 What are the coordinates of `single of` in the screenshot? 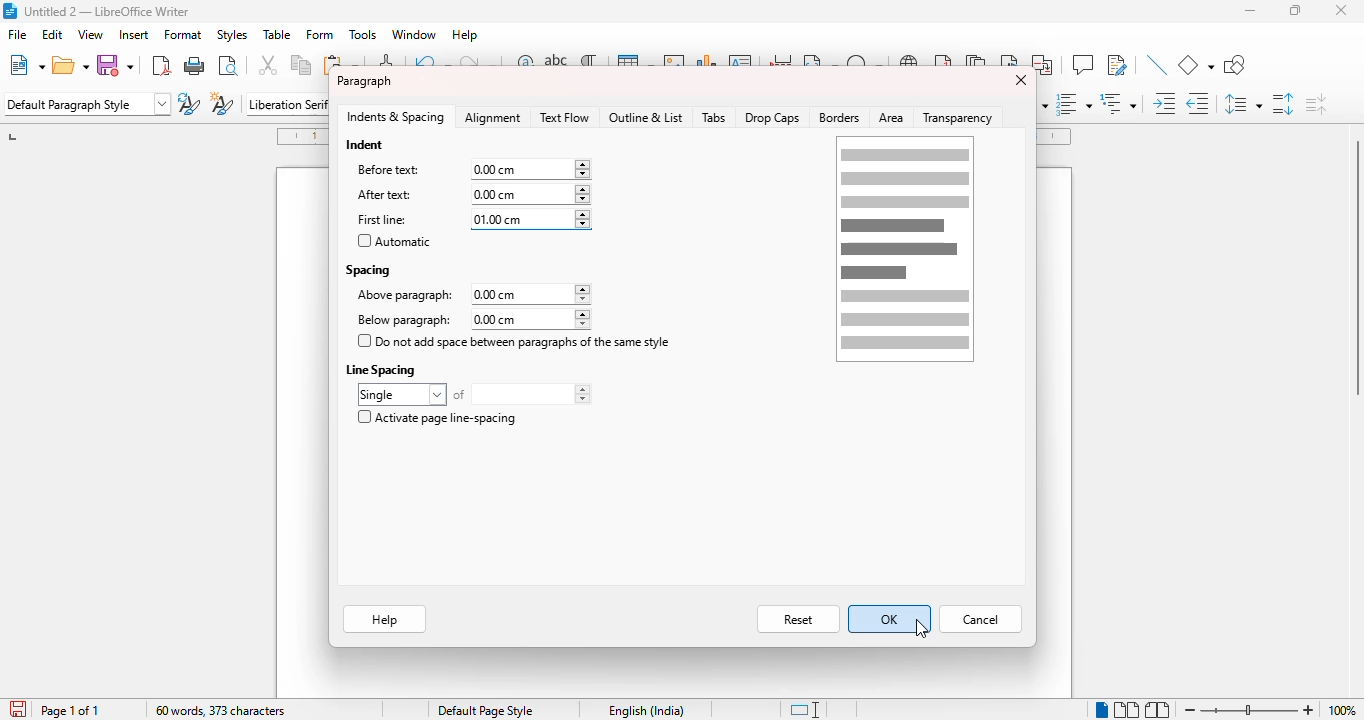 It's located at (474, 394).